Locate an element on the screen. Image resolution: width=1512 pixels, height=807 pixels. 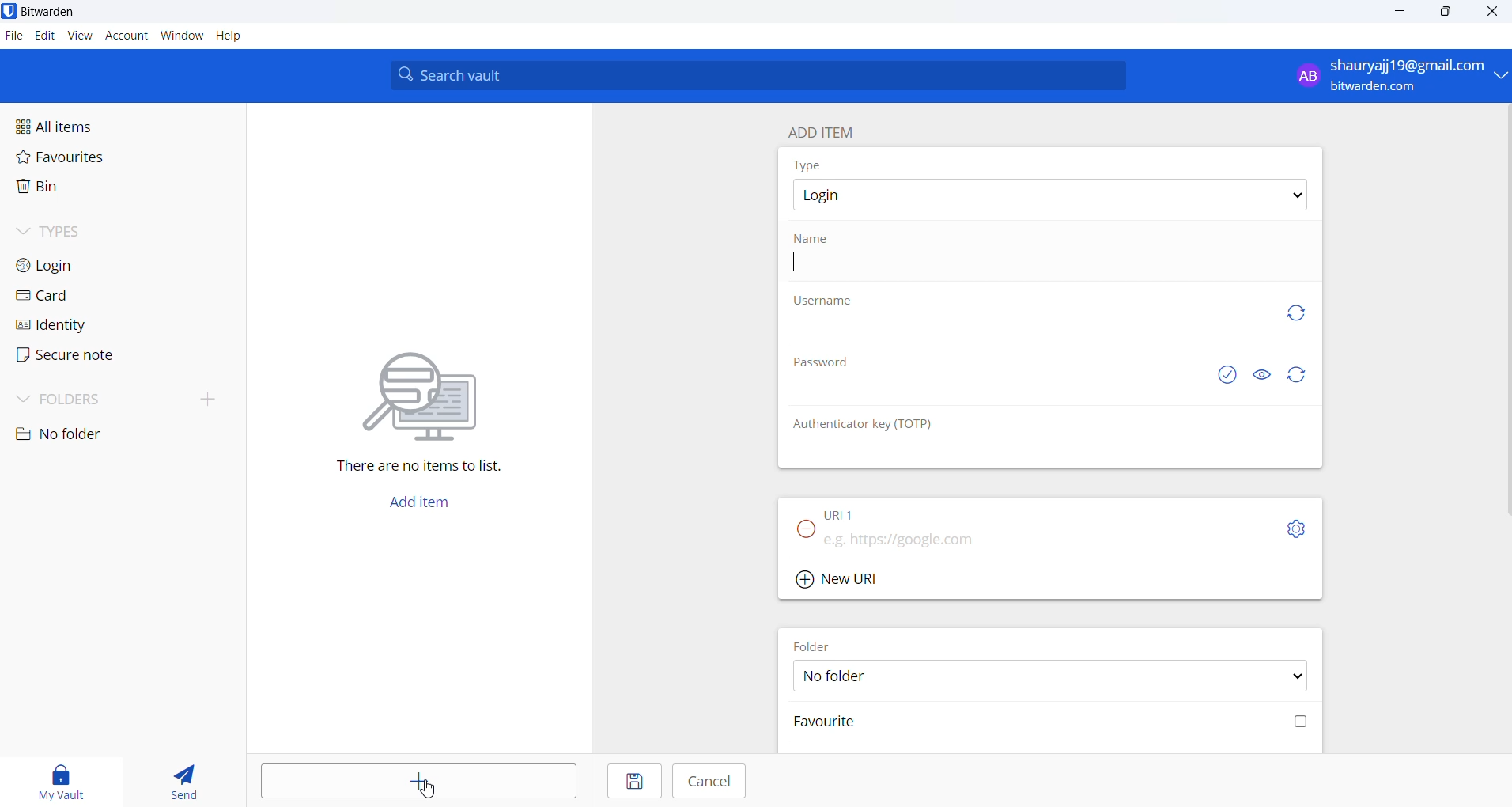
add folder is located at coordinates (201, 398).